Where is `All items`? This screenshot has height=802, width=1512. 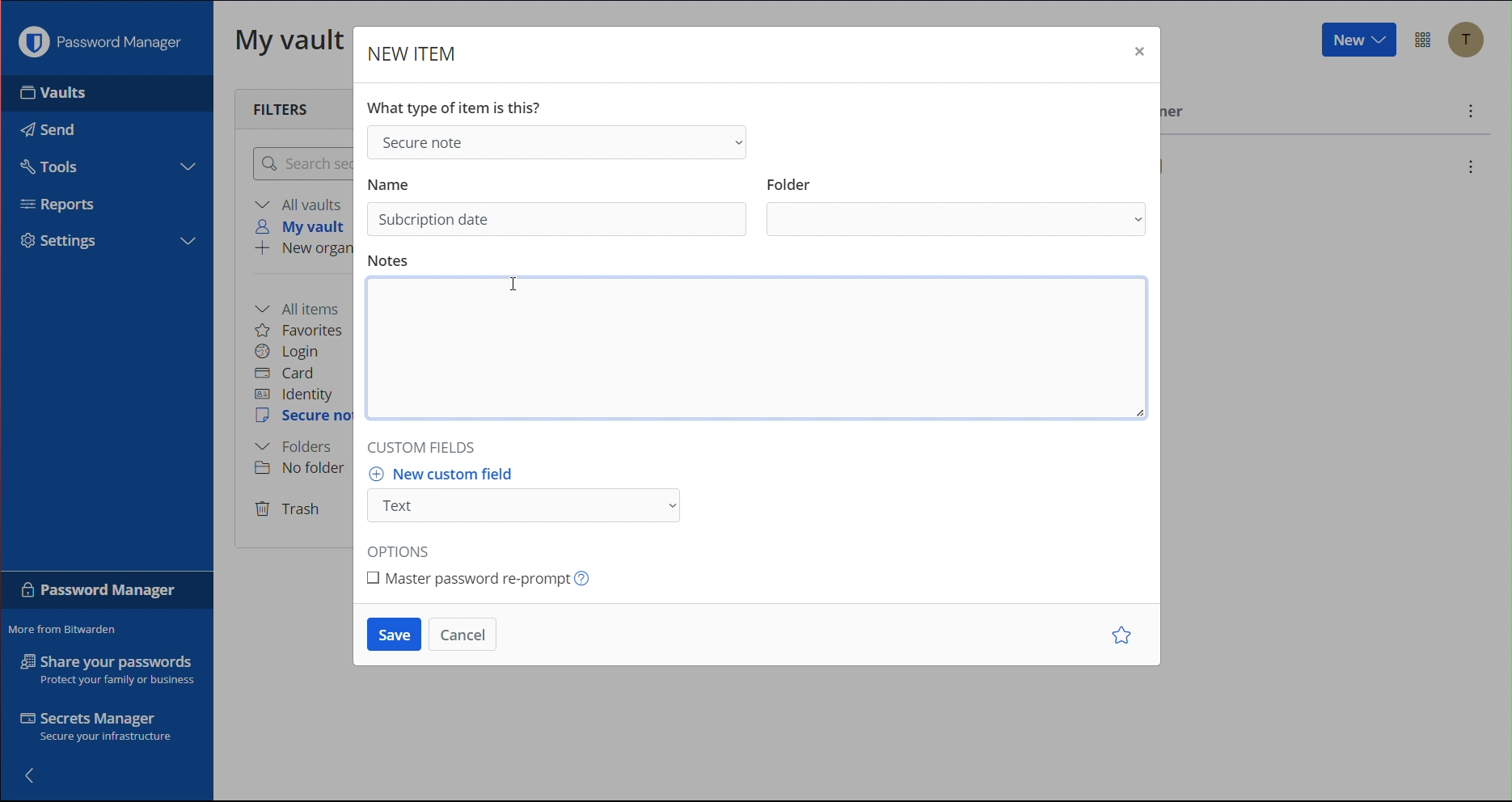
All items is located at coordinates (302, 307).